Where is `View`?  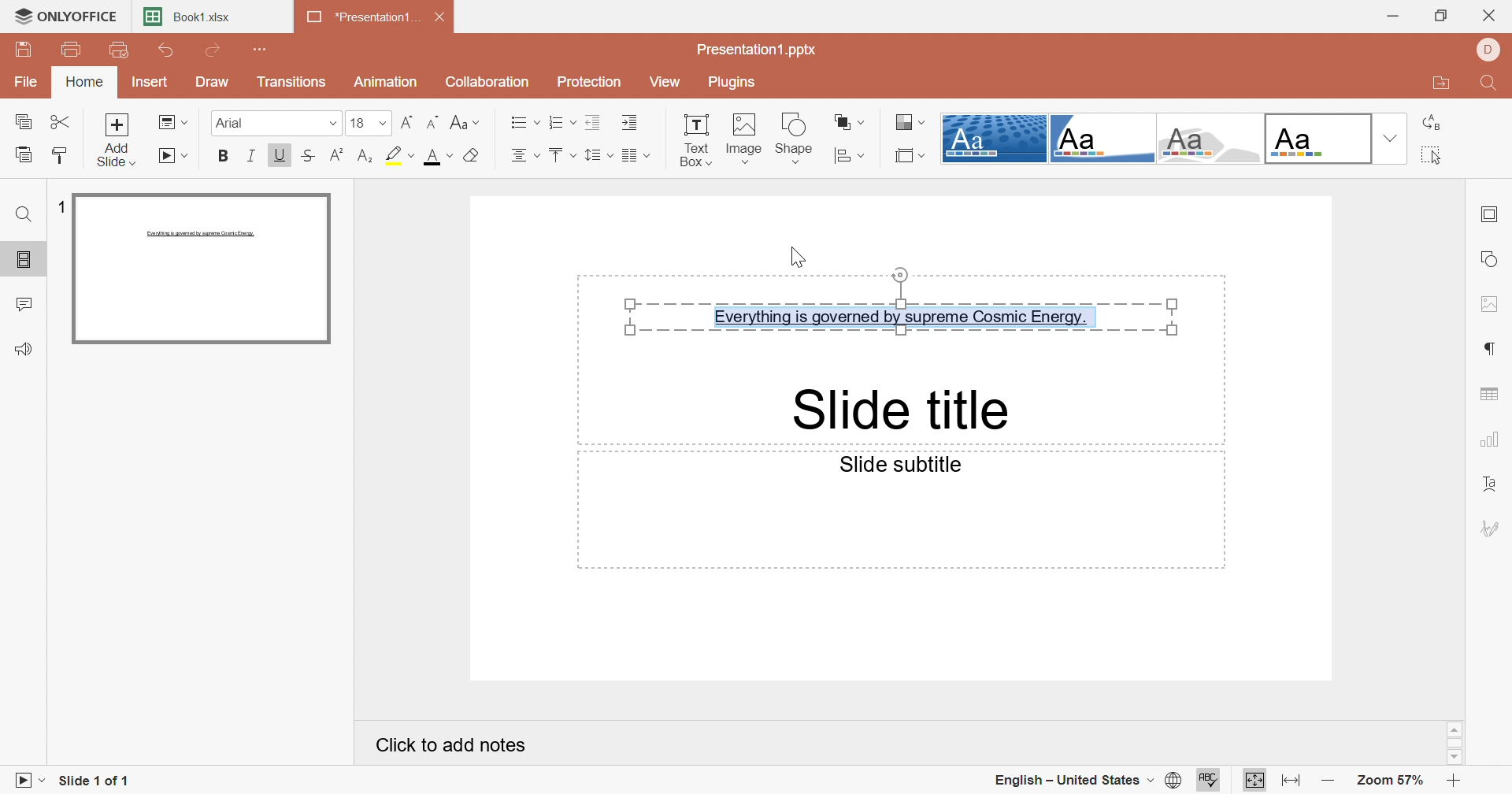
View is located at coordinates (665, 82).